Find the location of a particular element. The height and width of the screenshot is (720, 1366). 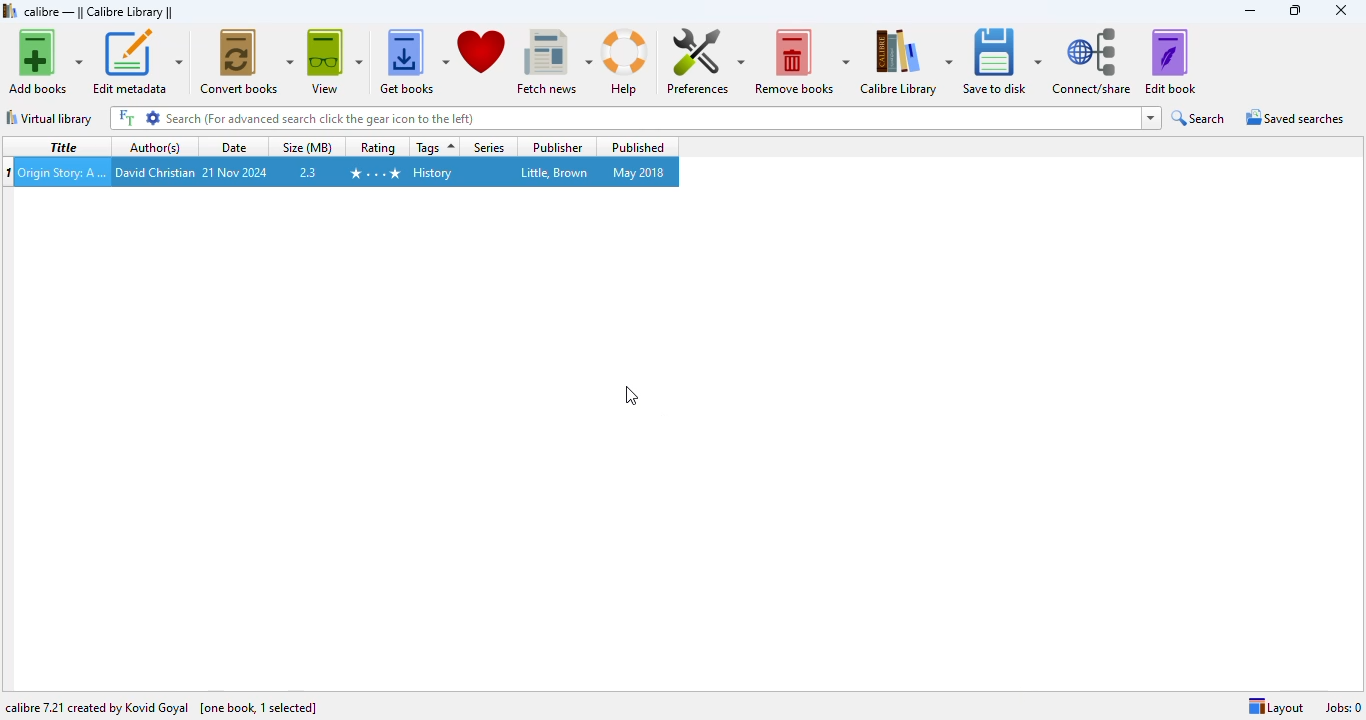

convert books is located at coordinates (245, 61).